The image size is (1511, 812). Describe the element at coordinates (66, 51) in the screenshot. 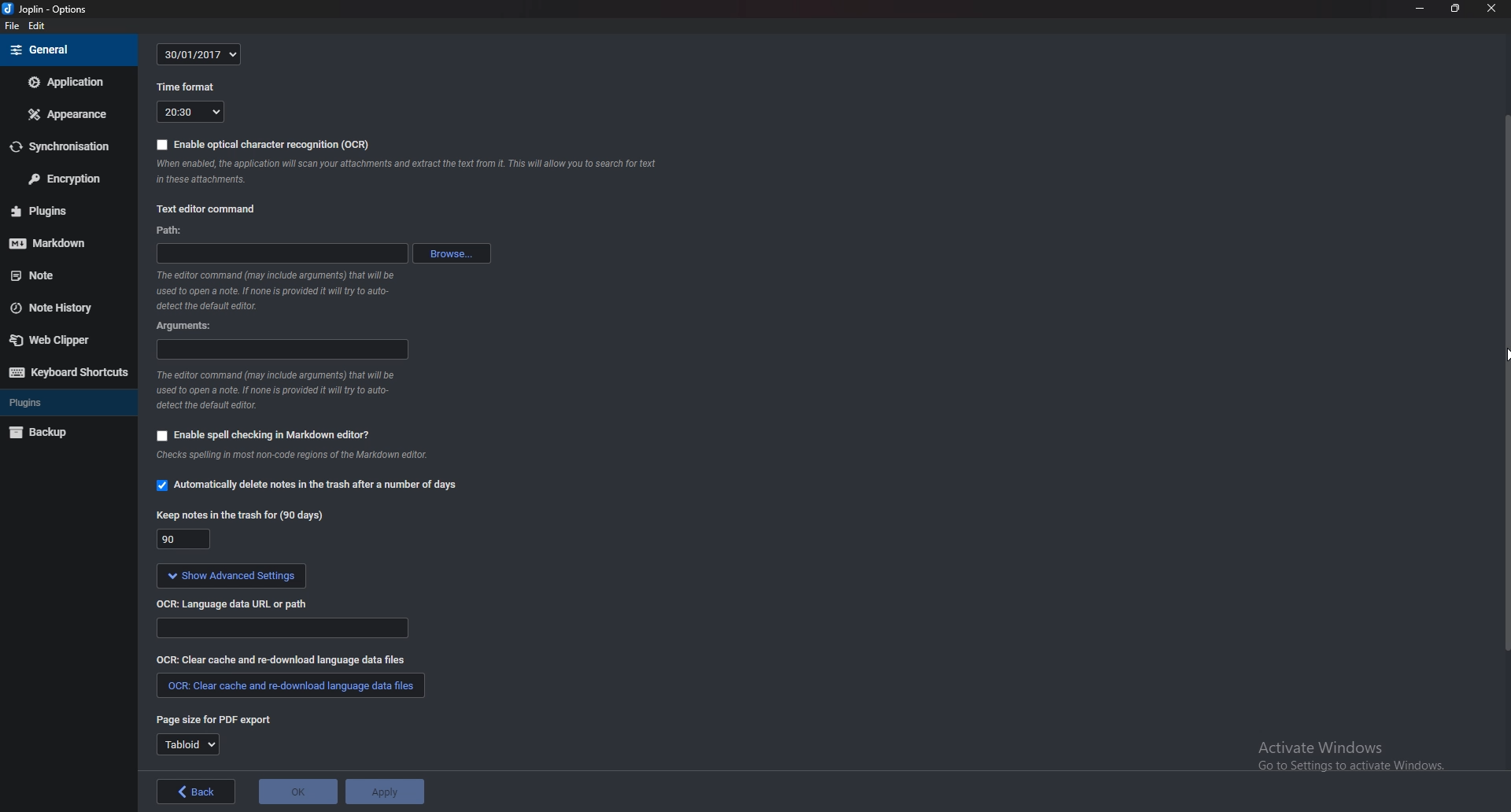

I see `General` at that location.